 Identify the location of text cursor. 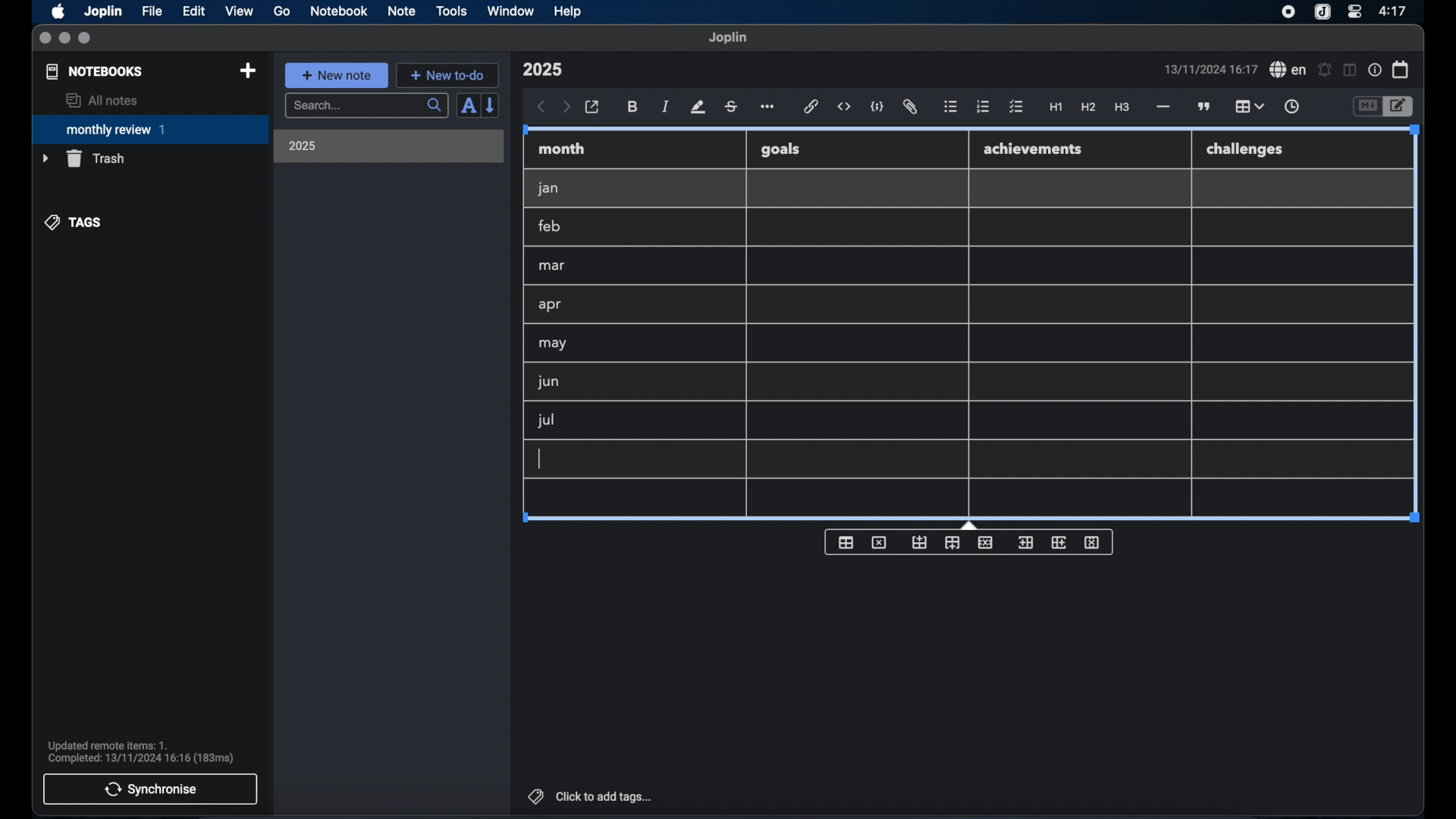
(541, 458).